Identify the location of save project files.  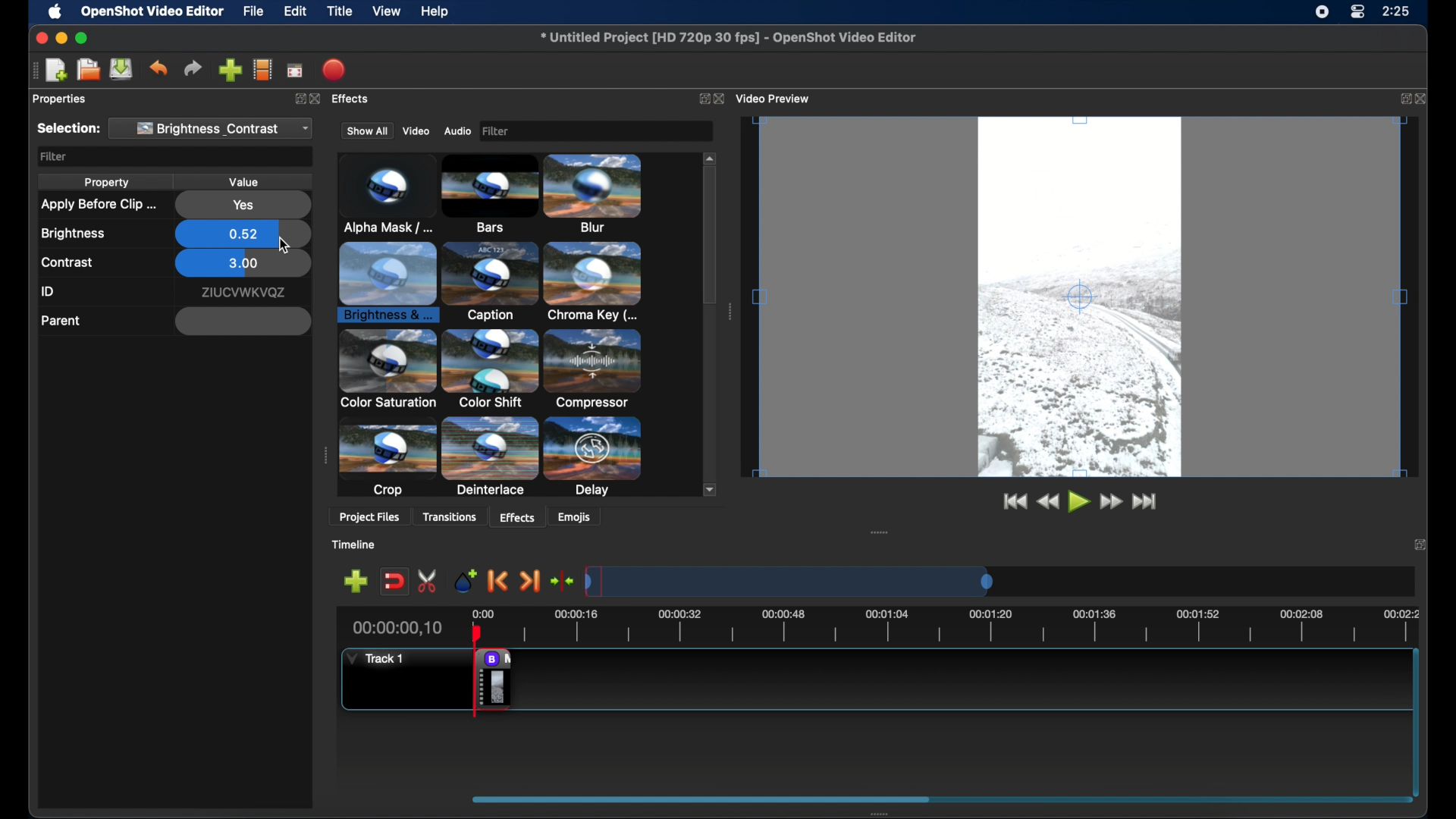
(121, 69).